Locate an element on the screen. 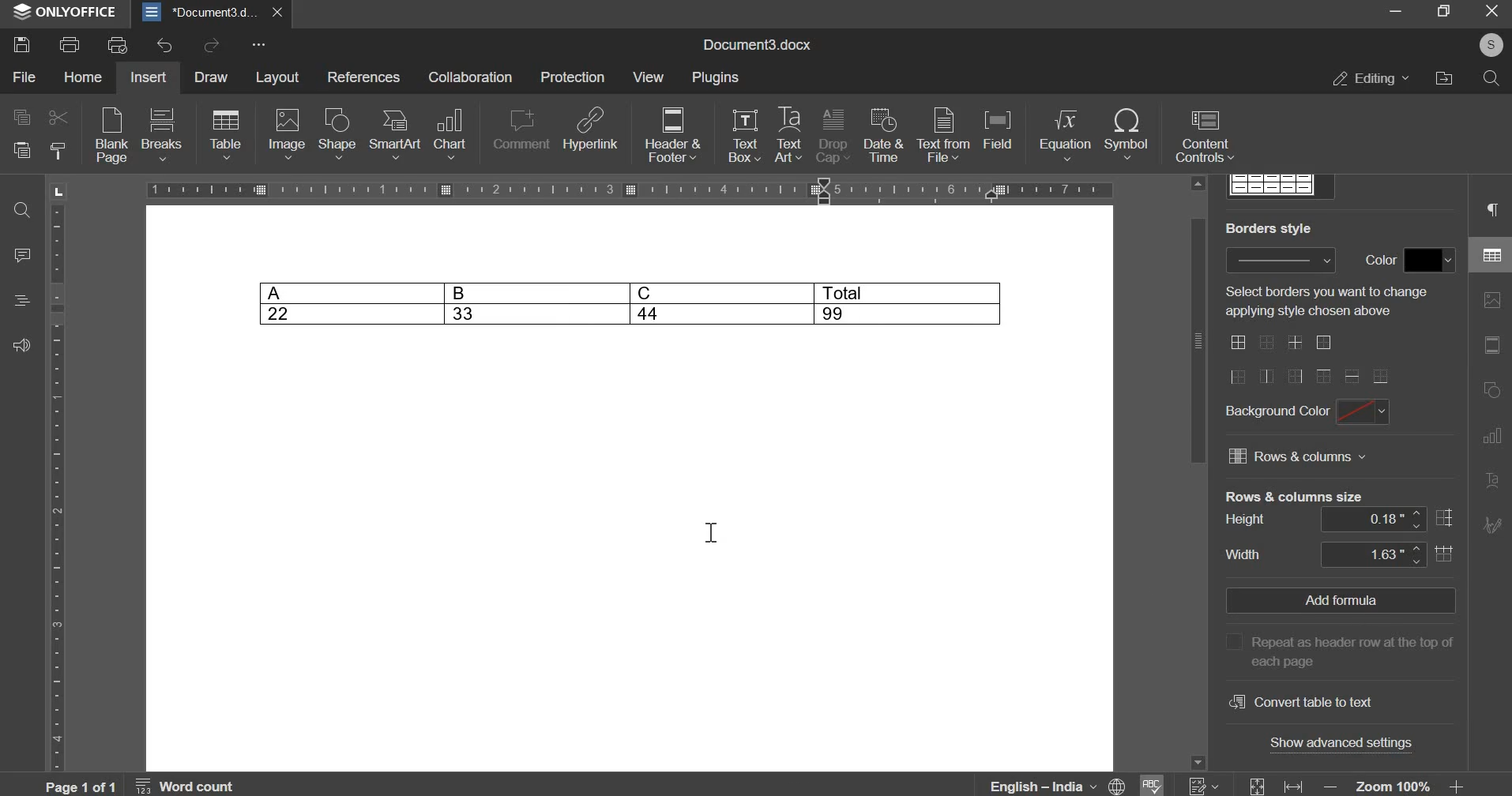  add formula is located at coordinates (1334, 600).